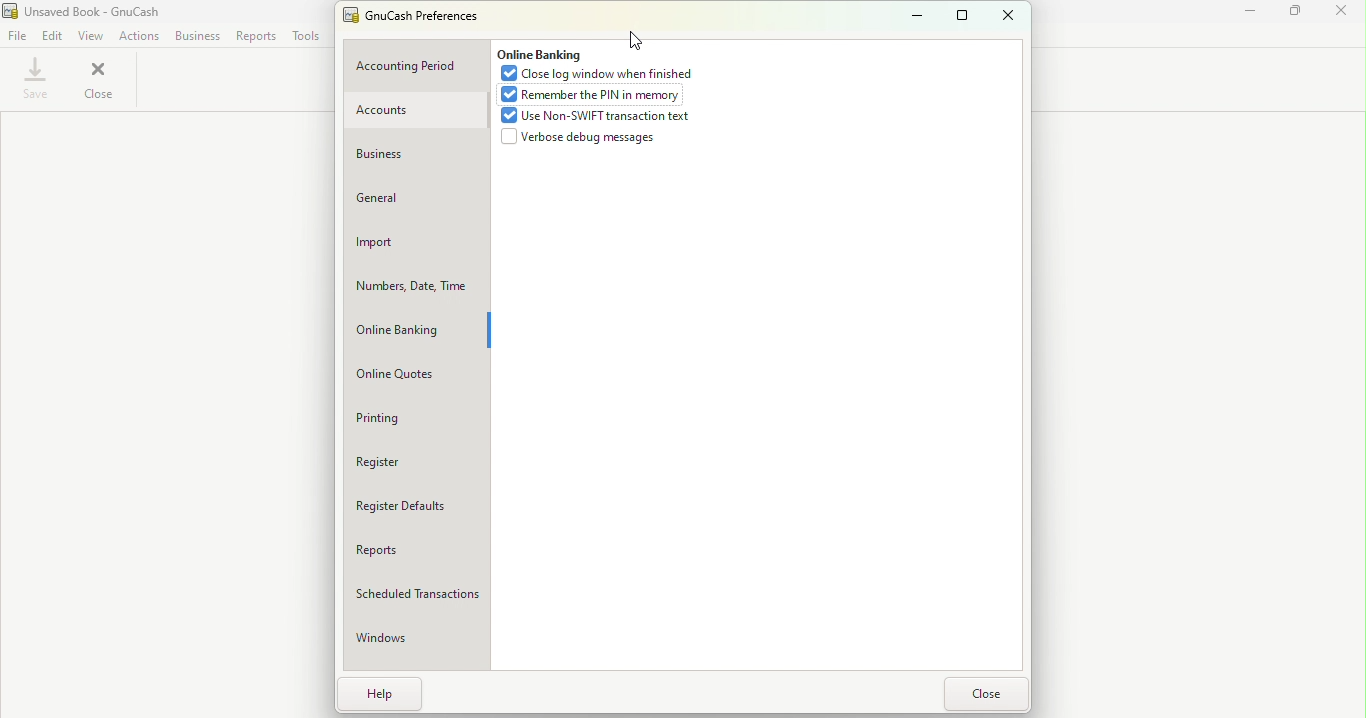  Describe the element at coordinates (198, 37) in the screenshot. I see `Business` at that location.